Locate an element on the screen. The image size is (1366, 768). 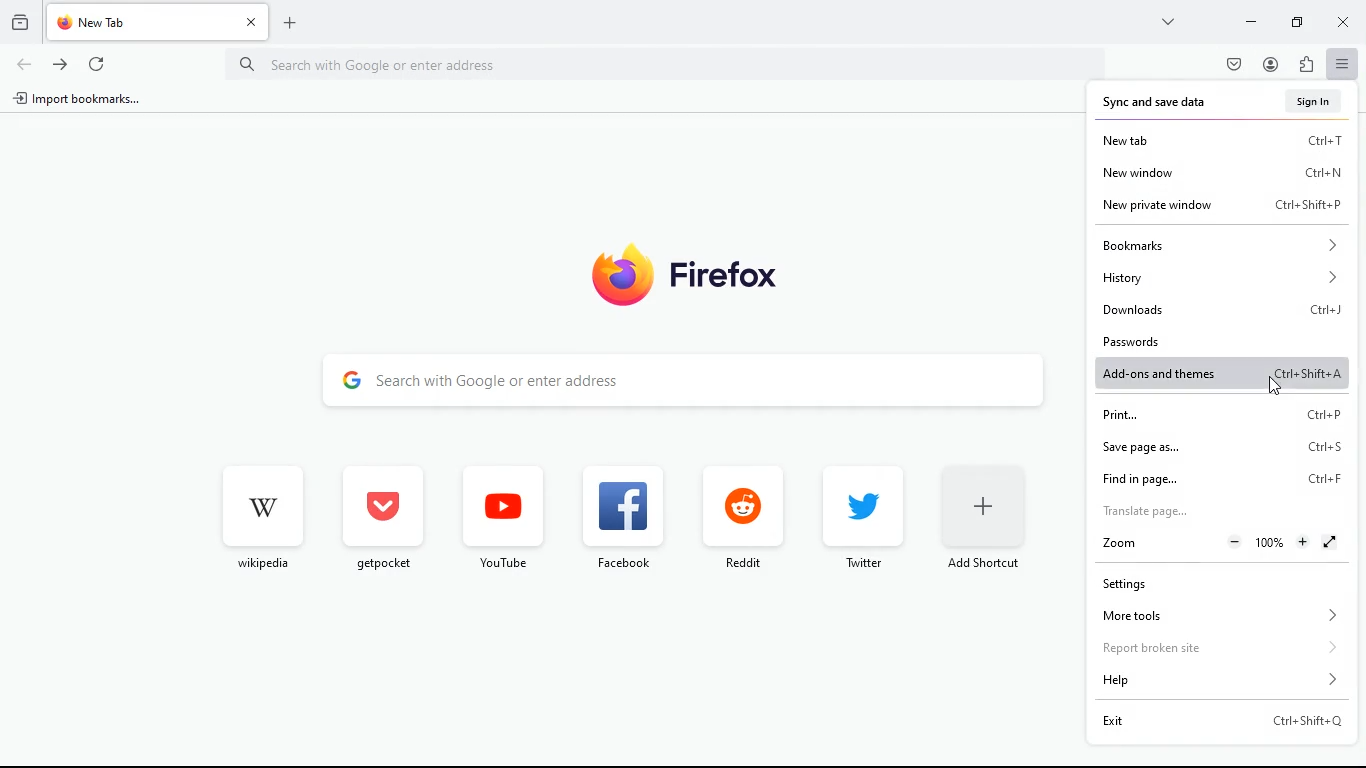
youtube is located at coordinates (499, 526).